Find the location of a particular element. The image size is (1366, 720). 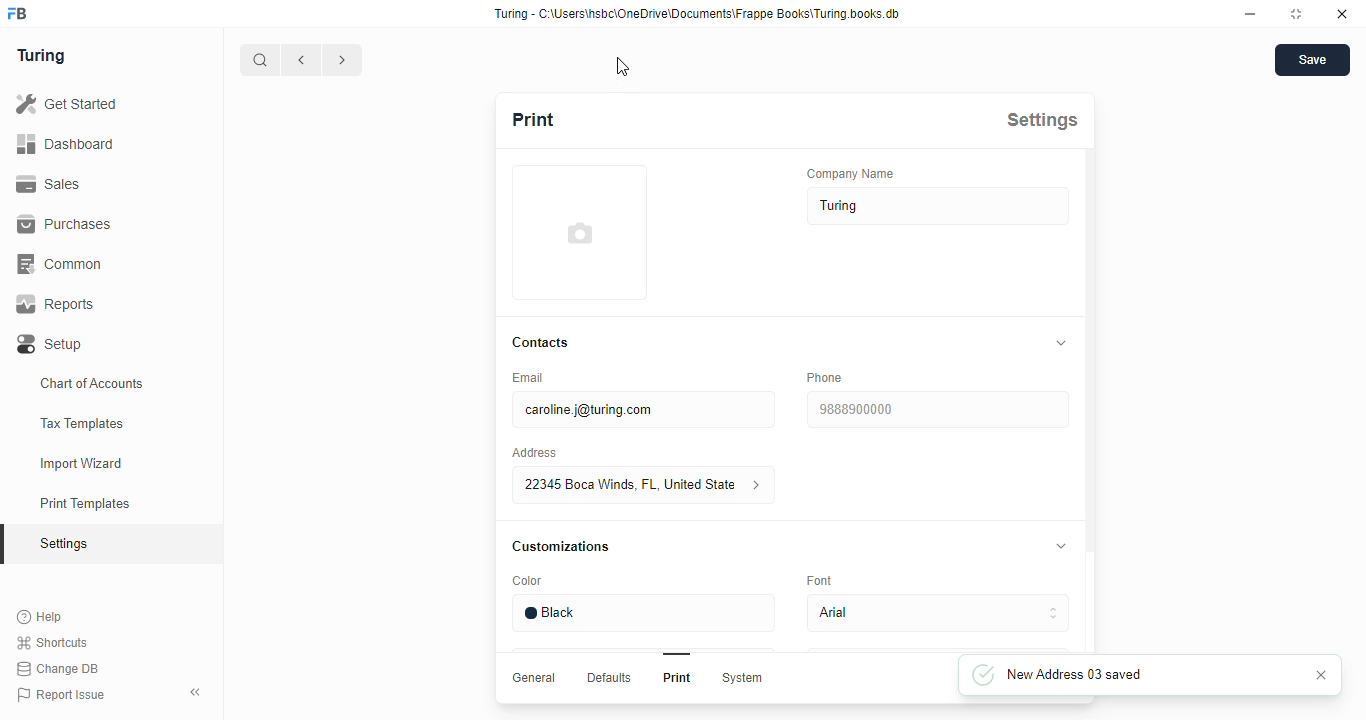

turing is located at coordinates (40, 55).